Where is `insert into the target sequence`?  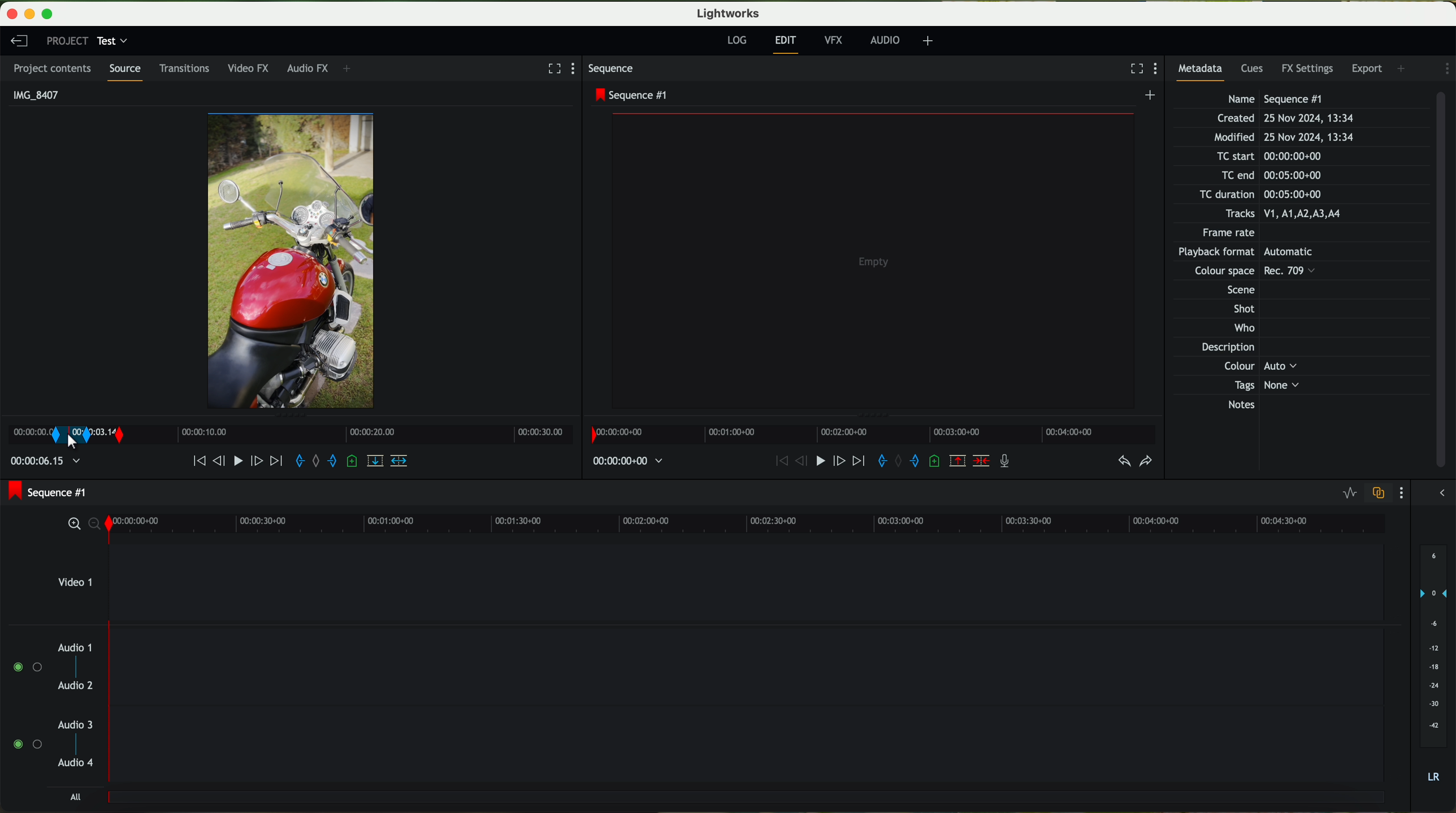
insert into the target sequence is located at coordinates (400, 460).